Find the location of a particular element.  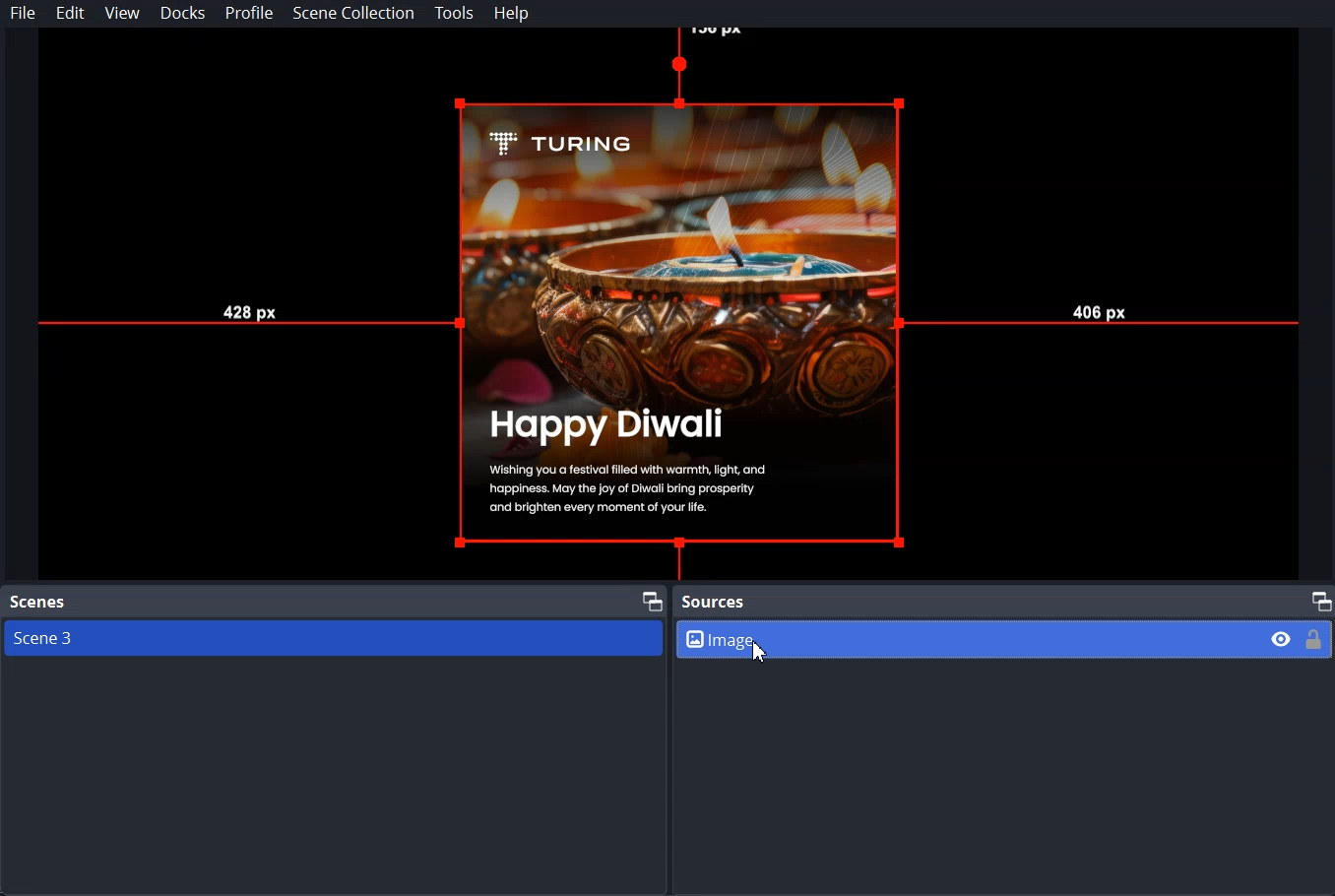

Maximize is located at coordinates (652, 599).